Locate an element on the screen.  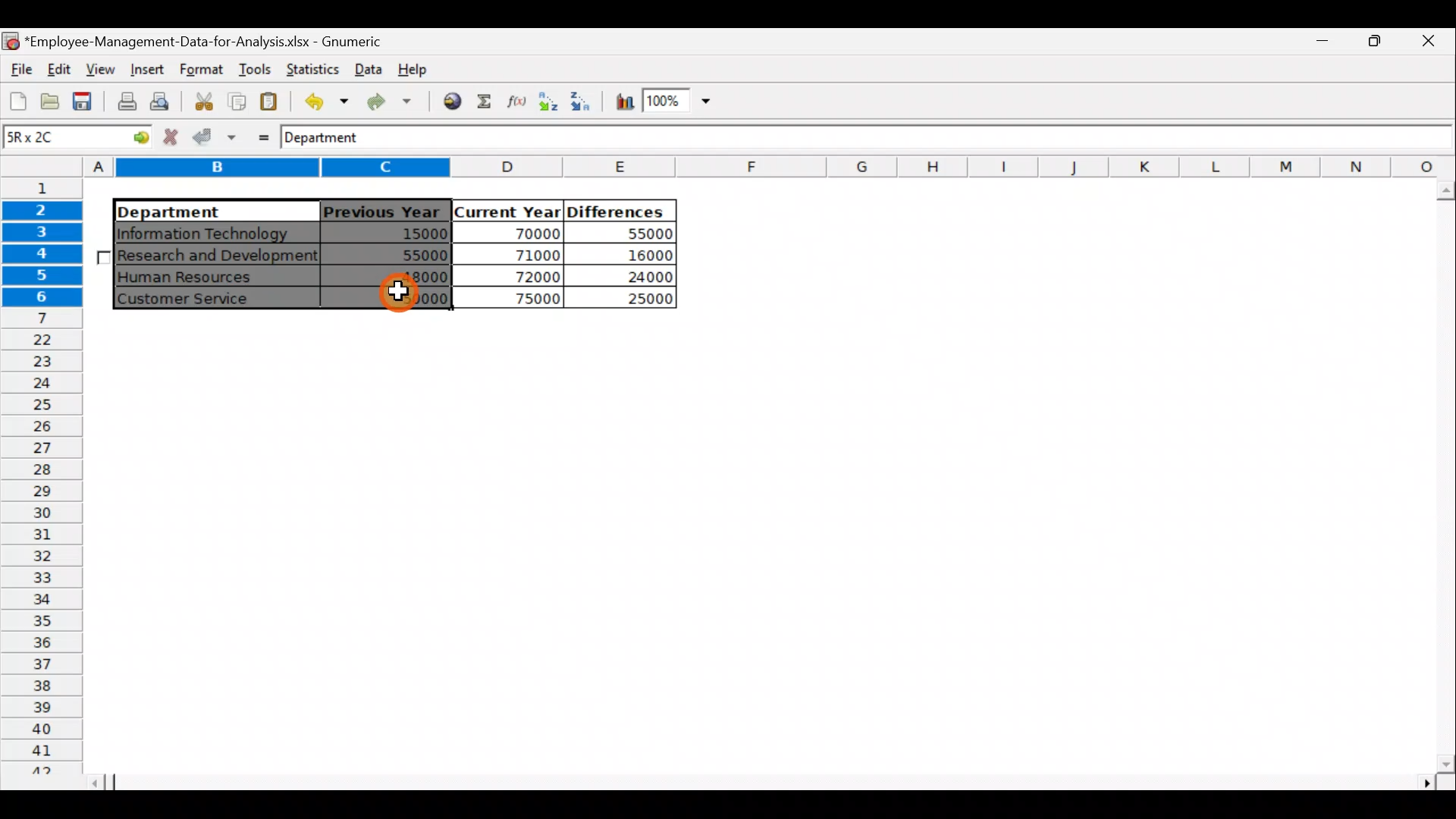
Columns is located at coordinates (770, 166).